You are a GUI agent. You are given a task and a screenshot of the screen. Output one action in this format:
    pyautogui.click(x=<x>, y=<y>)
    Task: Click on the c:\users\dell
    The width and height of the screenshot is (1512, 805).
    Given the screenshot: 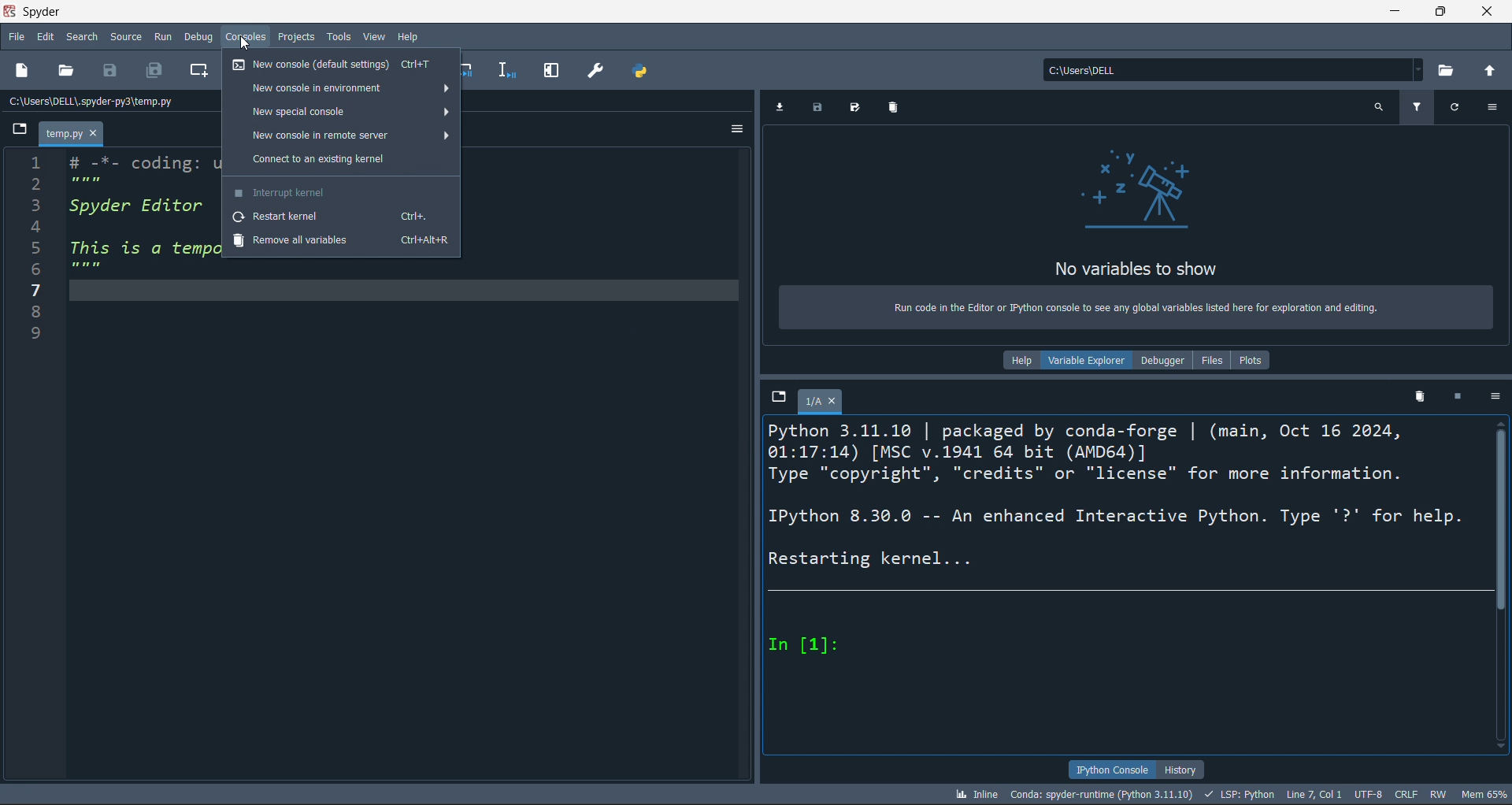 What is the action you would take?
    pyautogui.click(x=1231, y=67)
    